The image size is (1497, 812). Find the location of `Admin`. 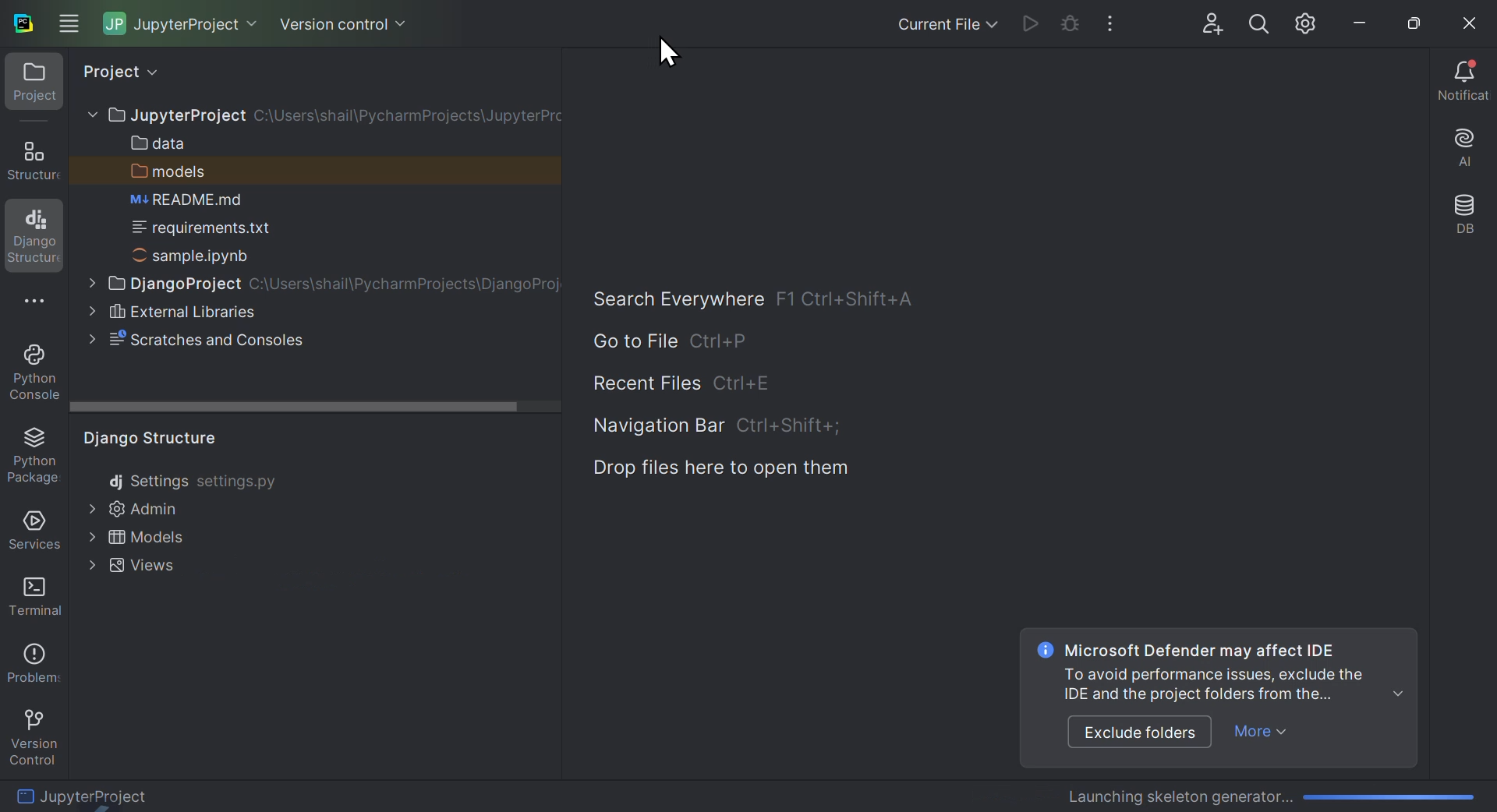

Admin is located at coordinates (138, 509).